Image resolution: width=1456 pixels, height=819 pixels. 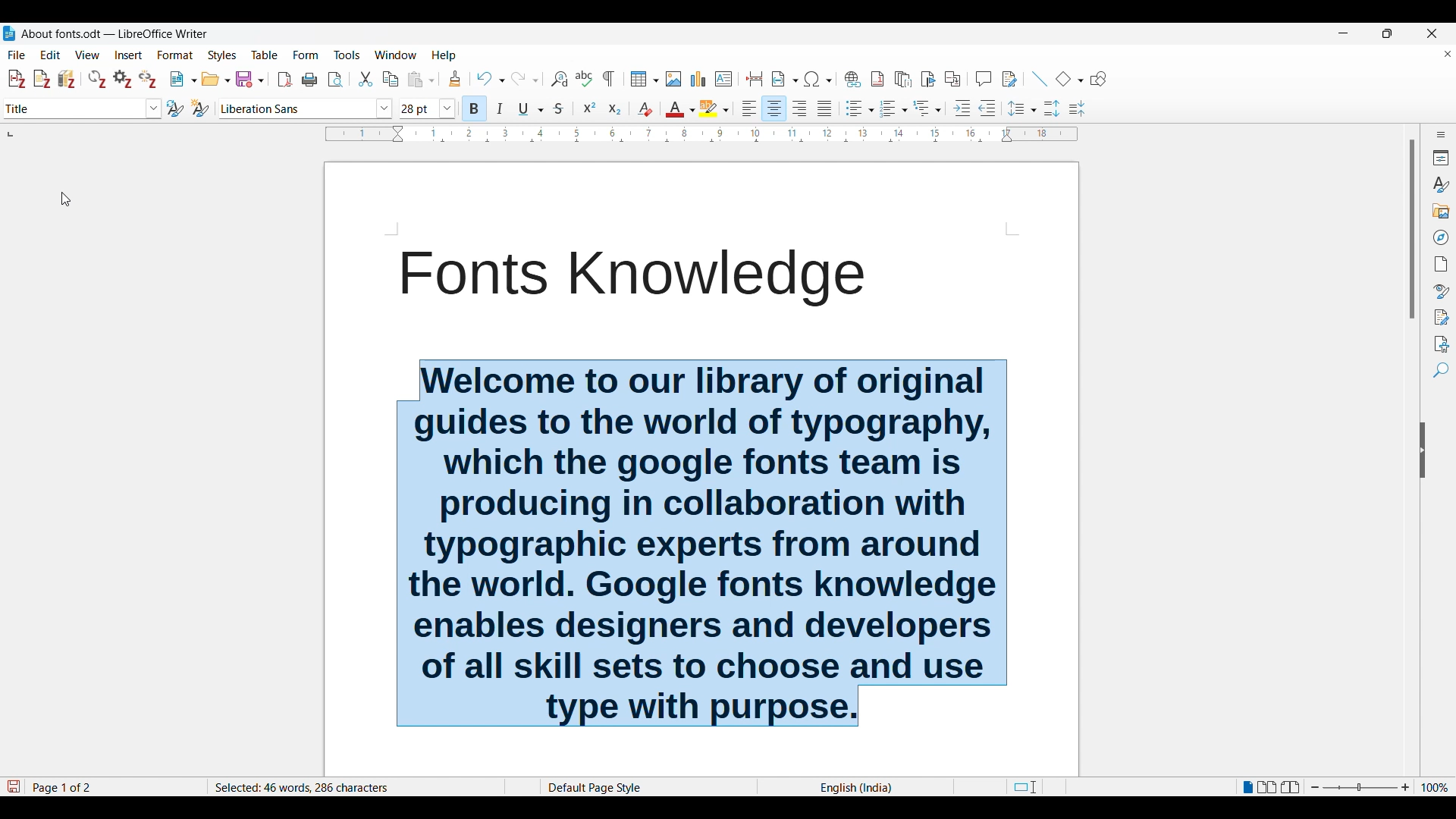 I want to click on Close document, so click(x=1448, y=54).